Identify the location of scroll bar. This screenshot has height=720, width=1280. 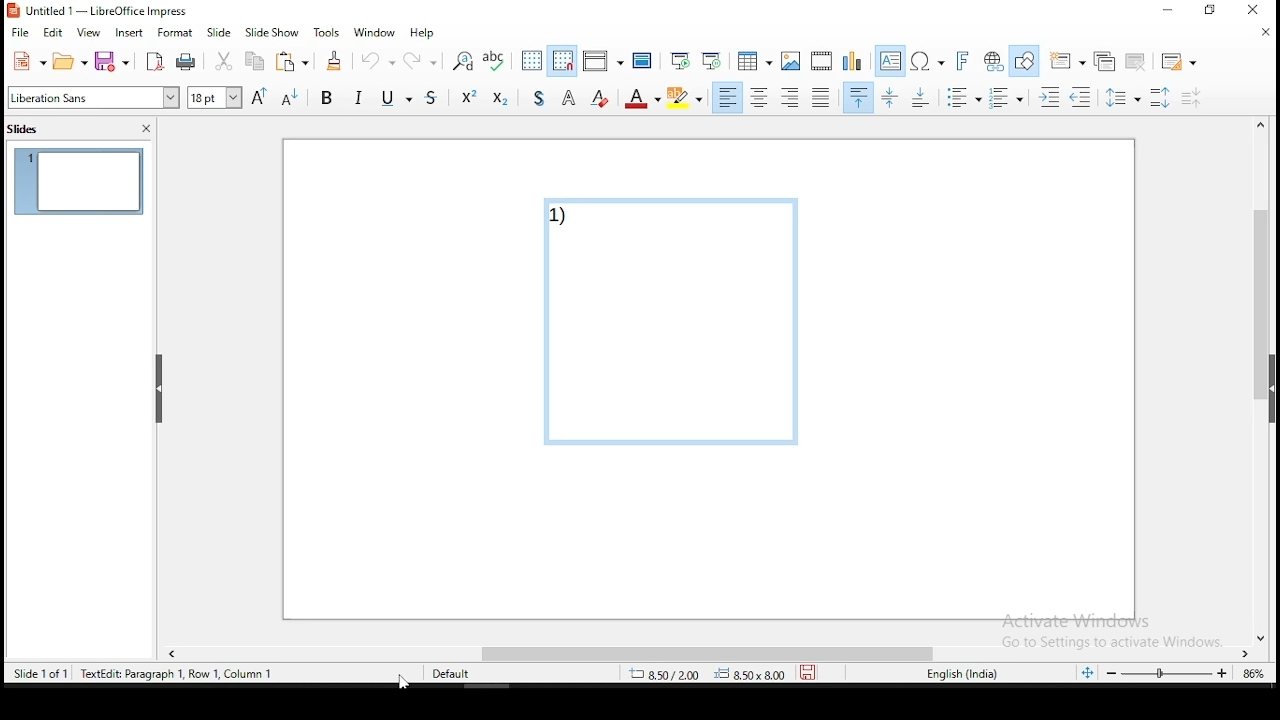
(714, 653).